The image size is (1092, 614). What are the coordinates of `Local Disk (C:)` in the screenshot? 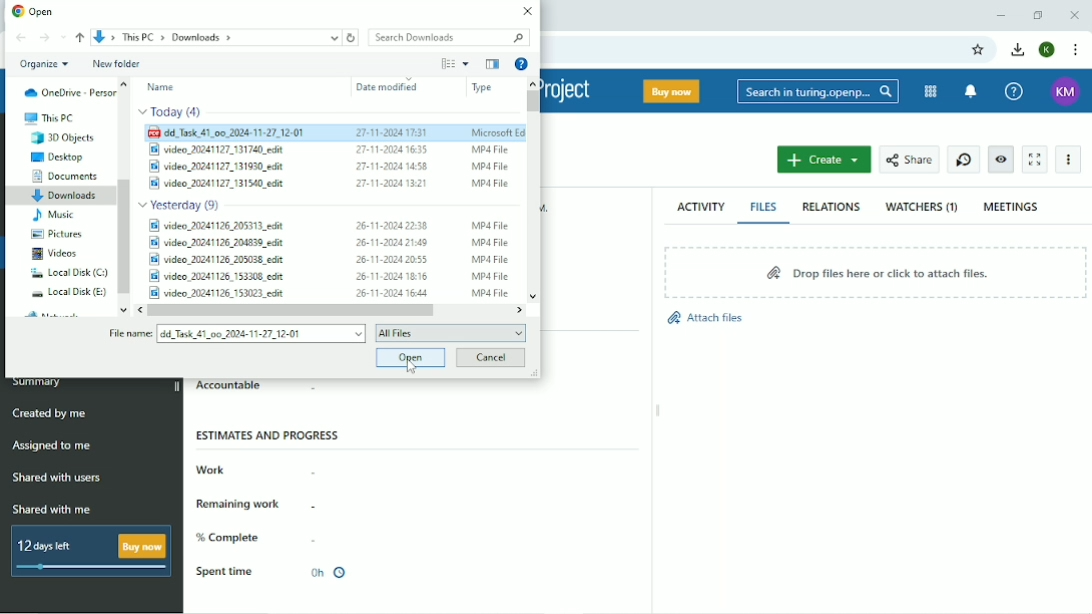 It's located at (68, 273).